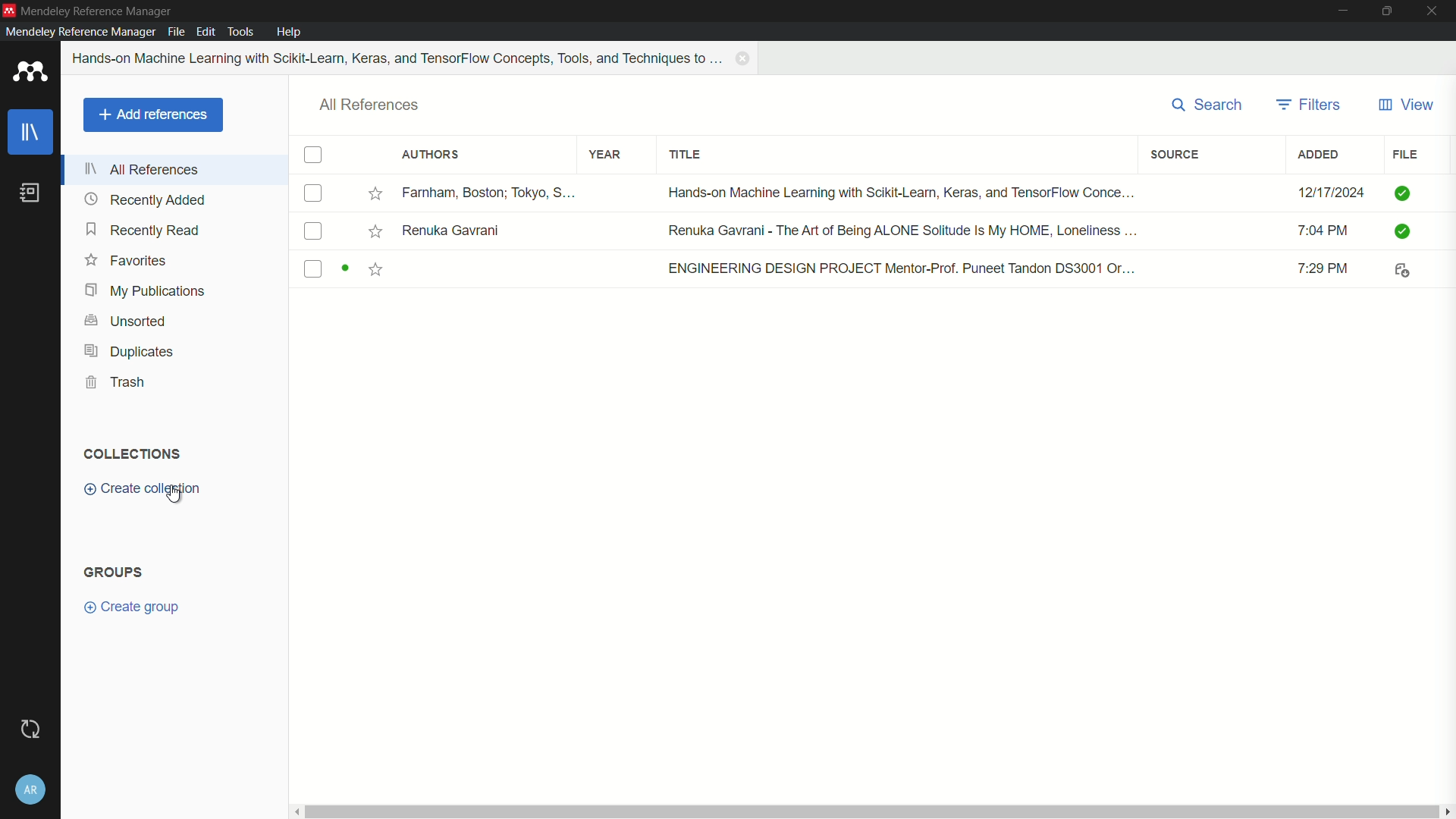 This screenshot has height=819, width=1456. I want to click on cursor, so click(175, 496).